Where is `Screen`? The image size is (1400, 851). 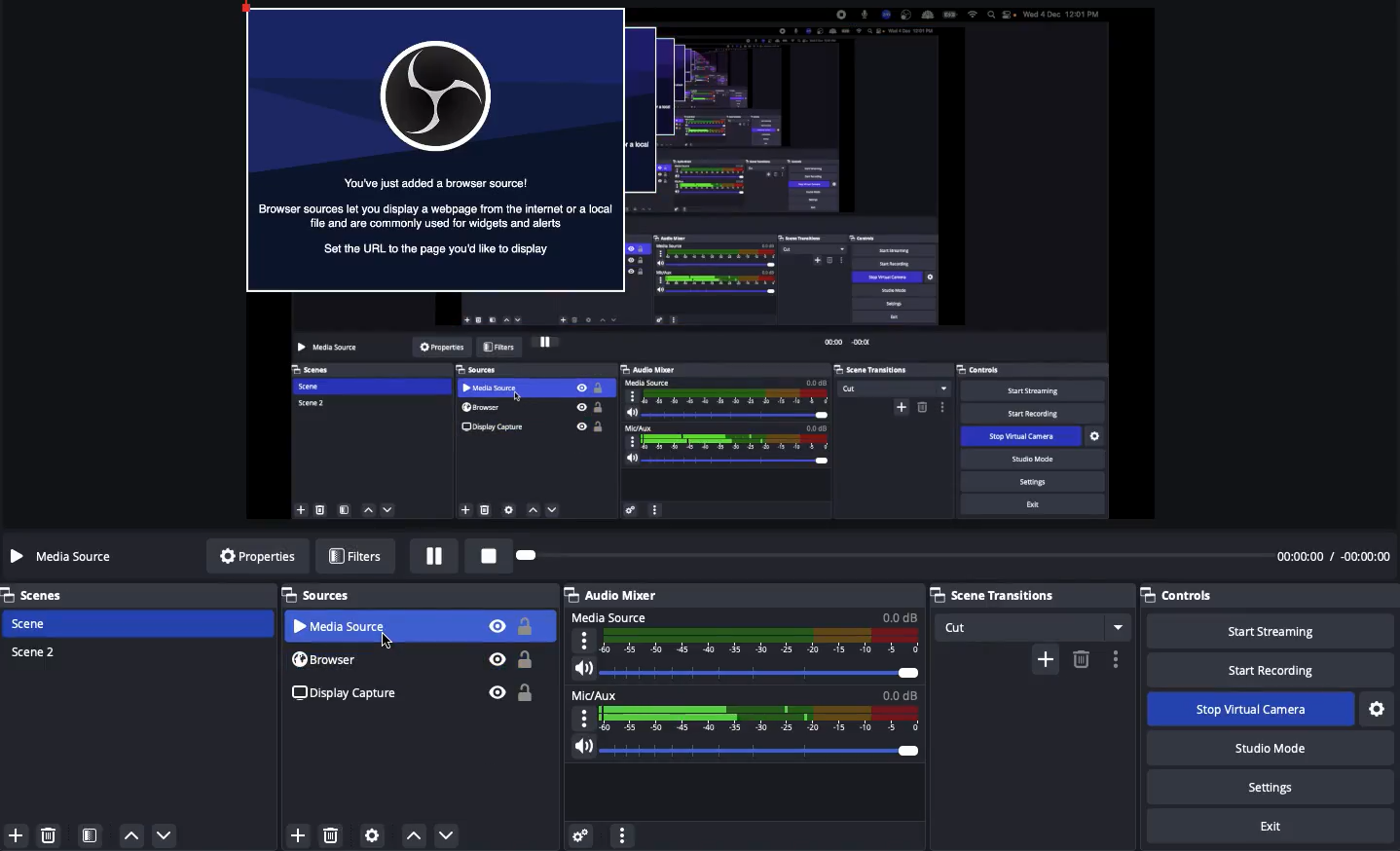
Screen is located at coordinates (701, 260).